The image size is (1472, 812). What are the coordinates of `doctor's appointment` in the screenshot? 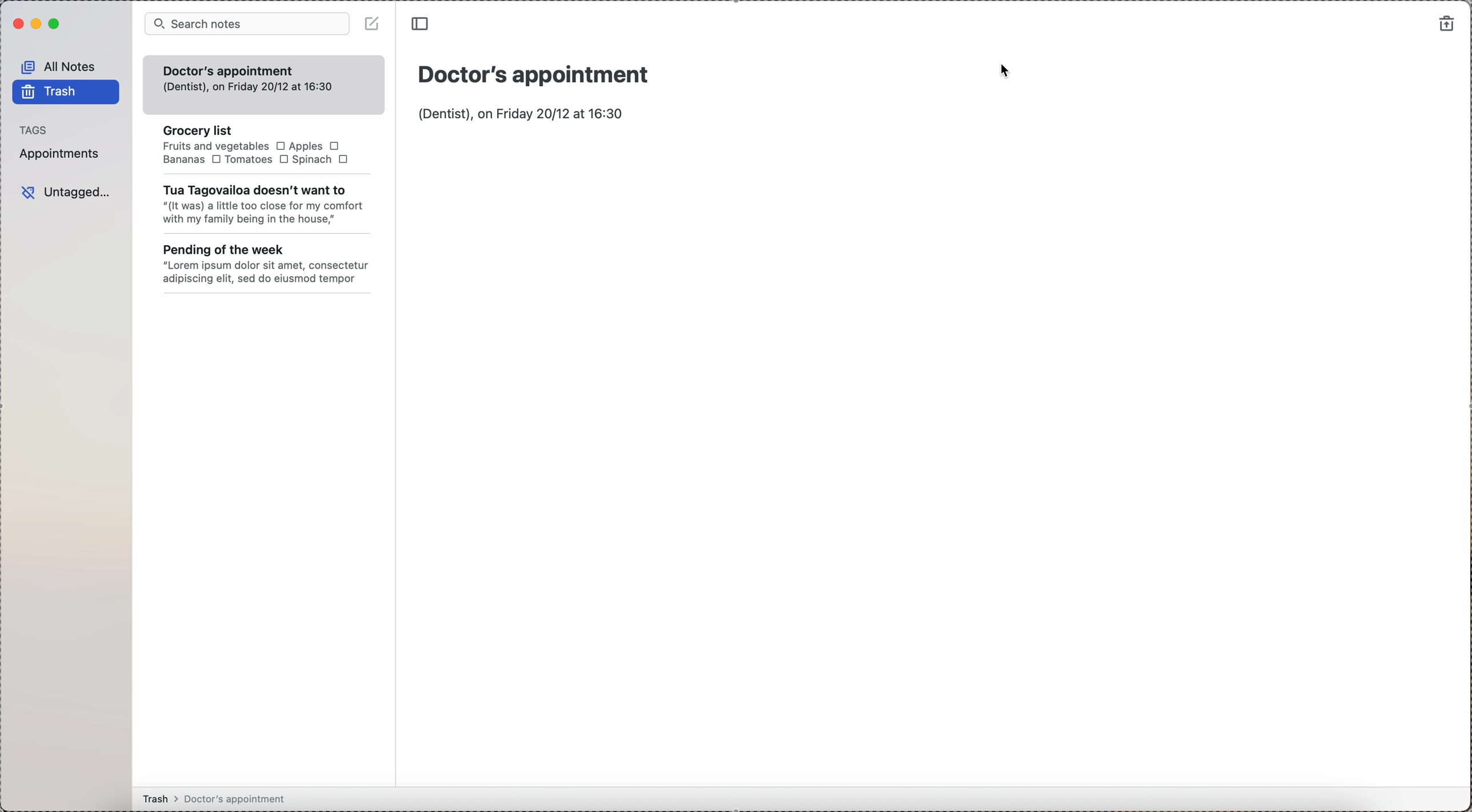 It's located at (231, 70).